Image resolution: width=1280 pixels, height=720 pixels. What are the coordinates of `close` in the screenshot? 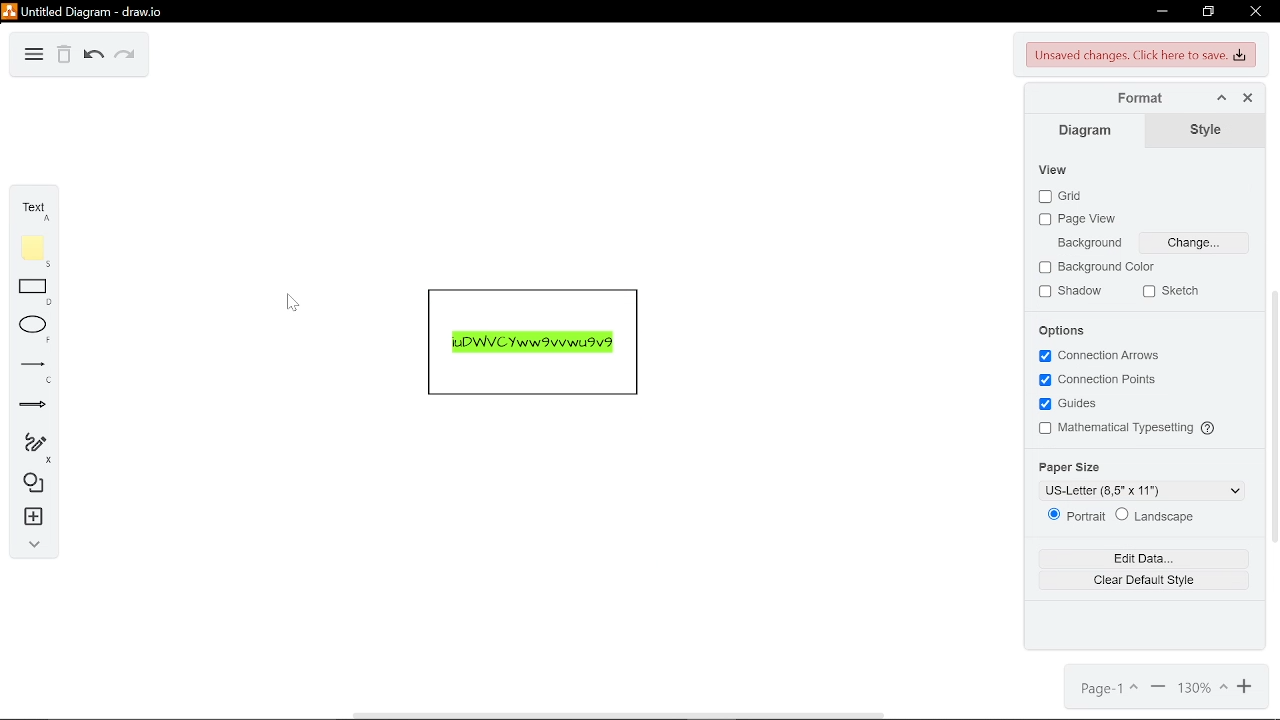 It's located at (1255, 11).